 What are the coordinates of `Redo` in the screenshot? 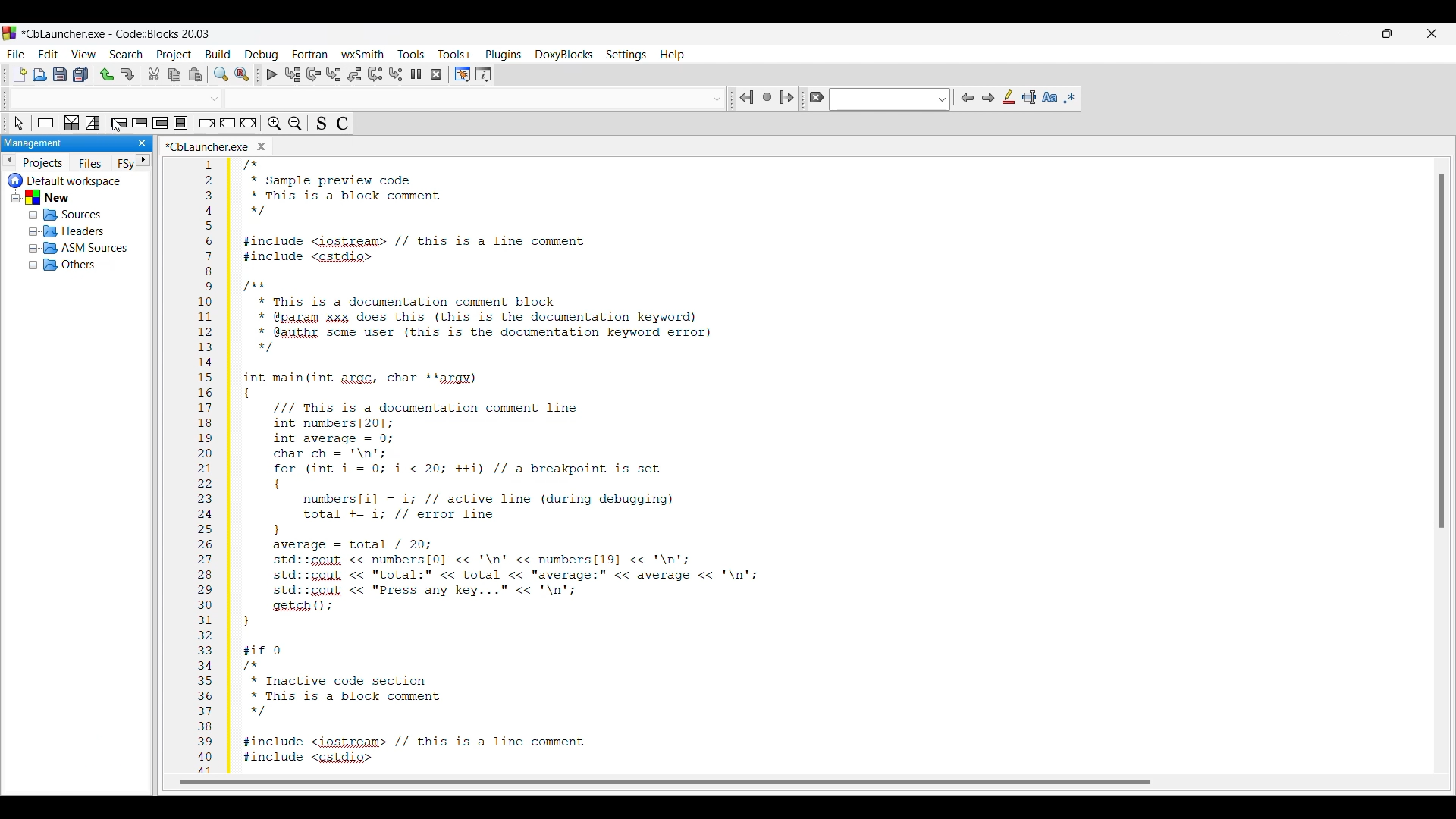 It's located at (127, 74).